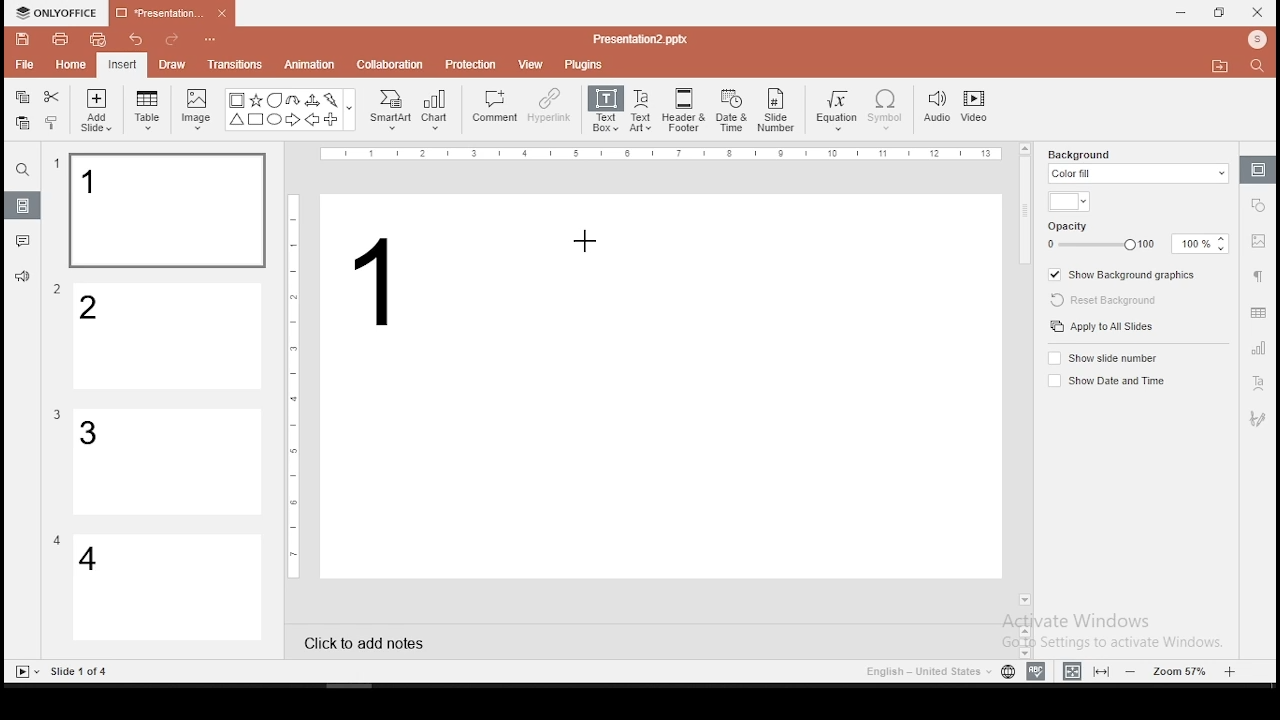 Image resolution: width=1280 pixels, height=720 pixels. I want to click on , so click(640, 38).